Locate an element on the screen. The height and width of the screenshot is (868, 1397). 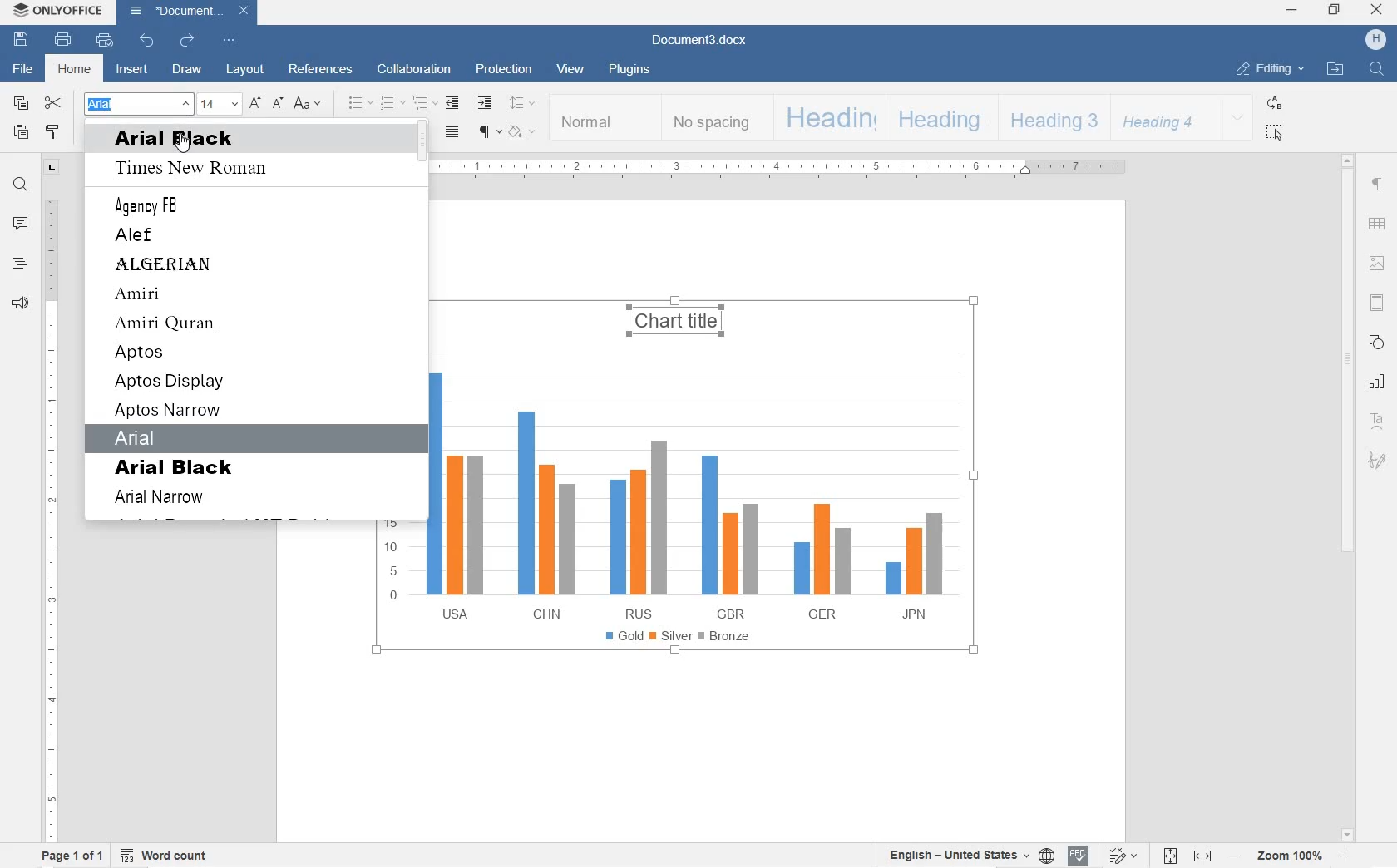
SET TEXT OR DOCUMENT LANGUAGE is located at coordinates (967, 855).